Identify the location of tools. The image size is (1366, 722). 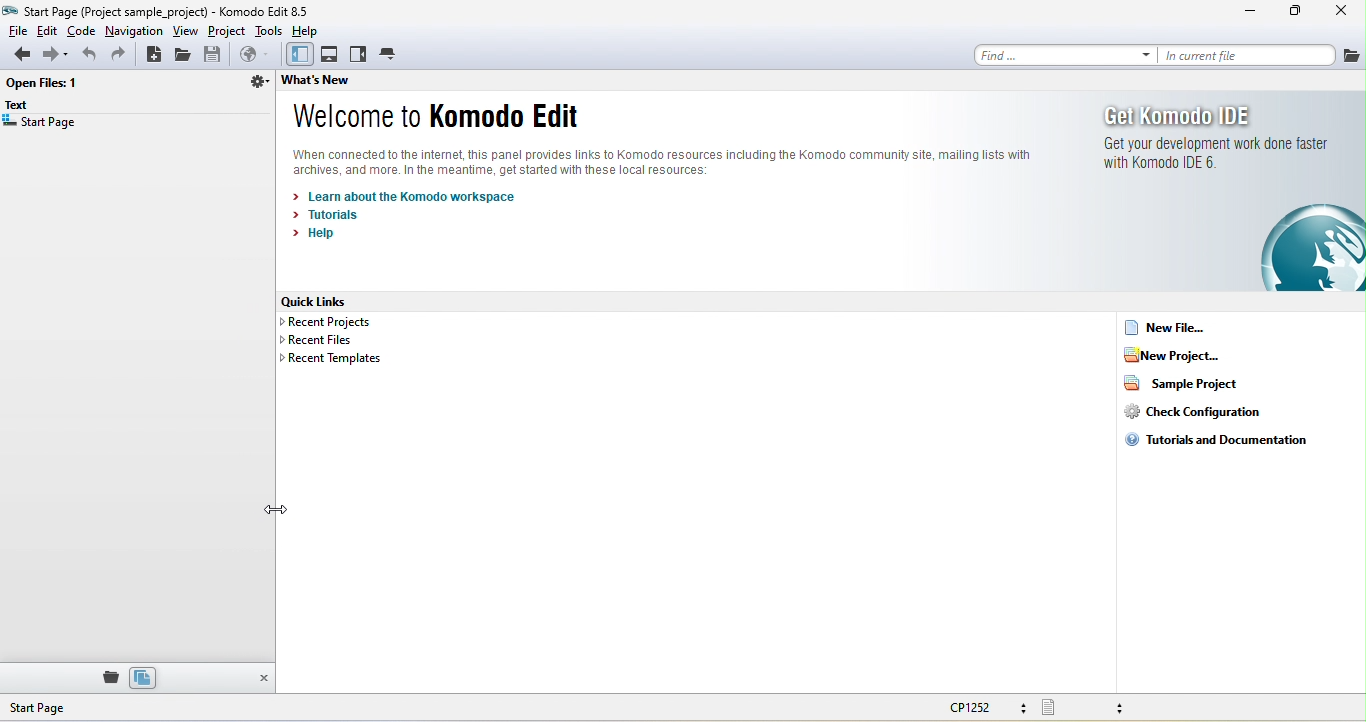
(269, 30).